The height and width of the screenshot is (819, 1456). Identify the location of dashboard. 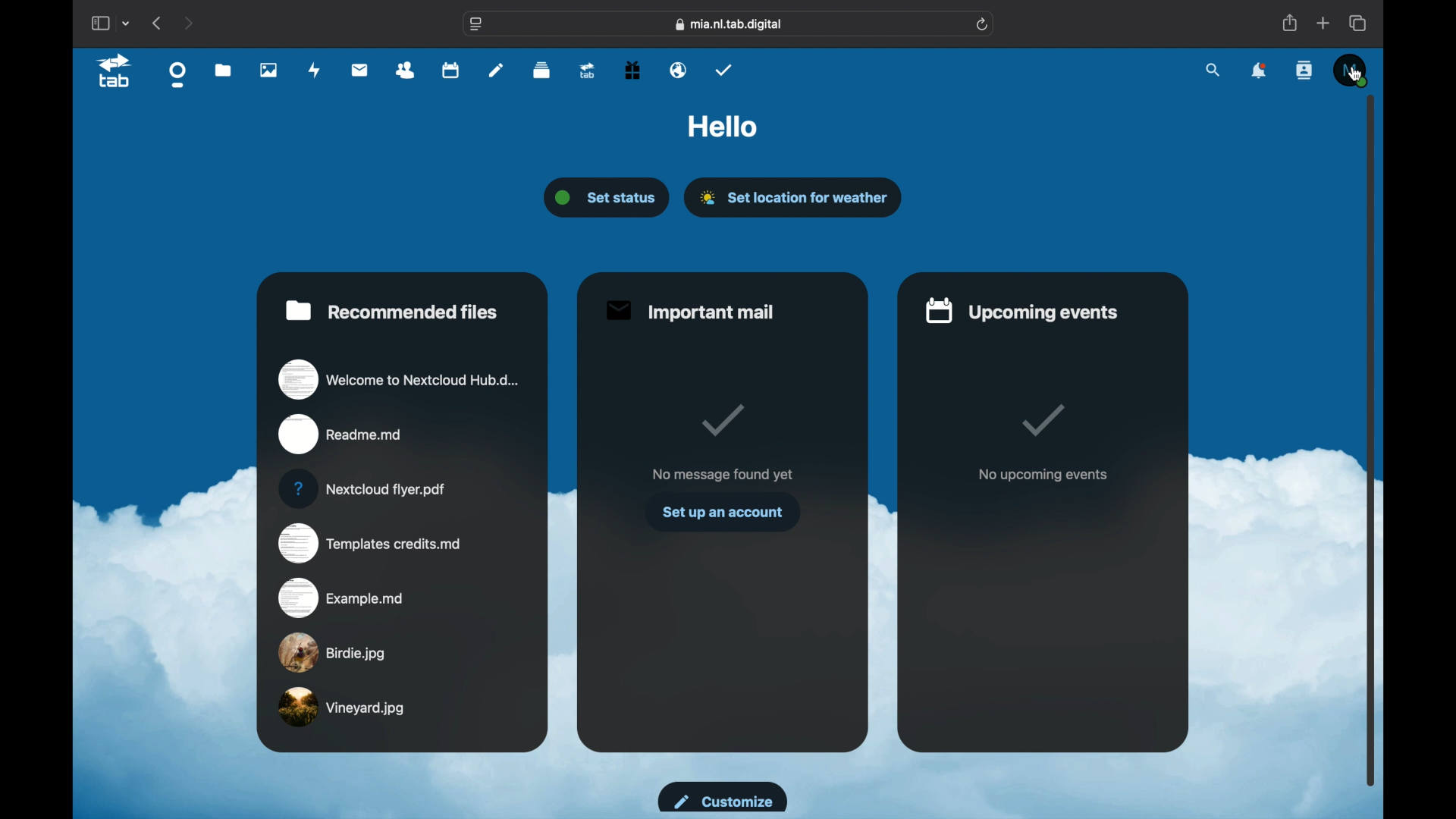
(178, 74).